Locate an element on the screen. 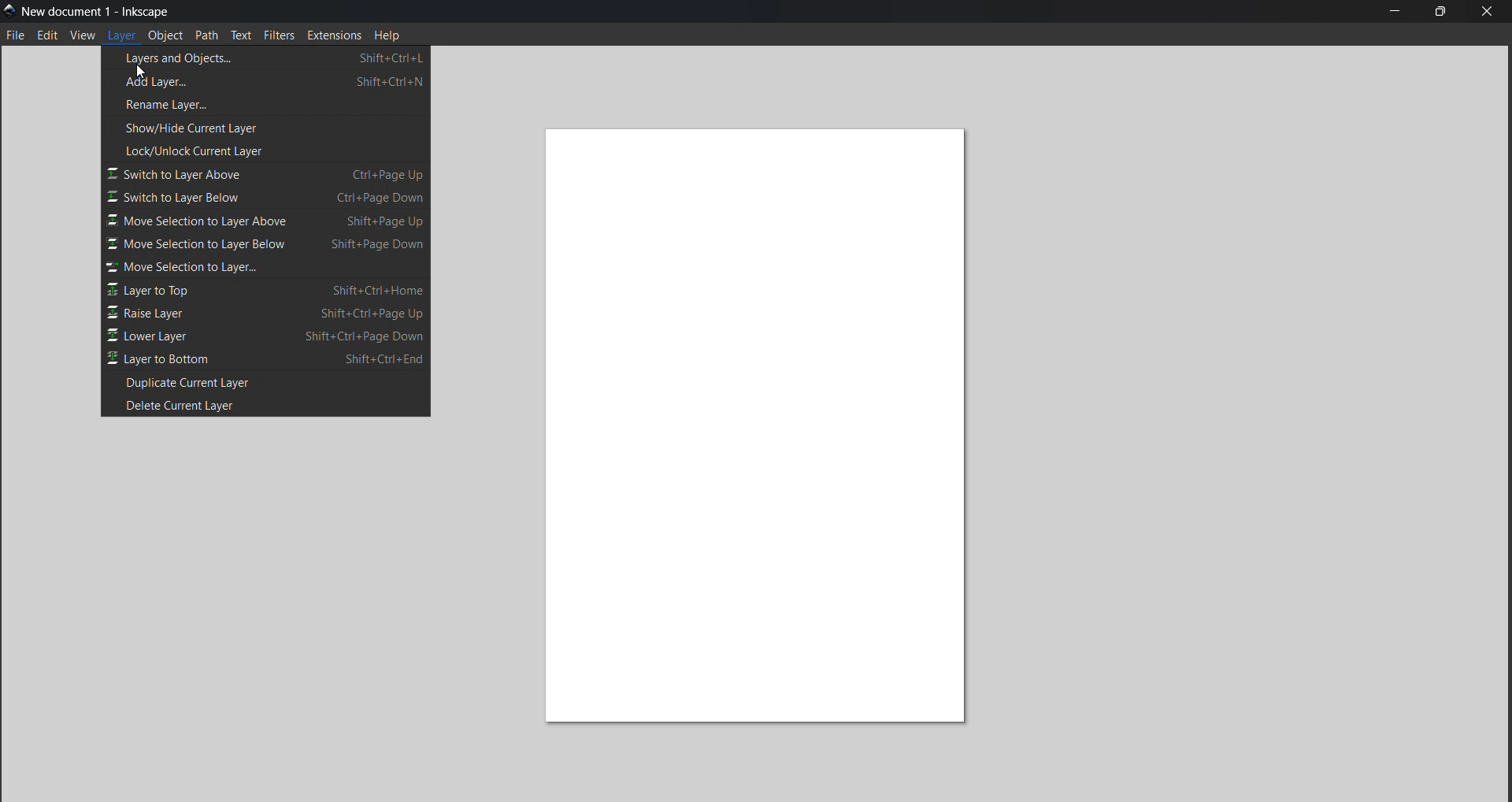 The height and width of the screenshot is (802, 1512). Delete current layer is located at coordinates (263, 407).